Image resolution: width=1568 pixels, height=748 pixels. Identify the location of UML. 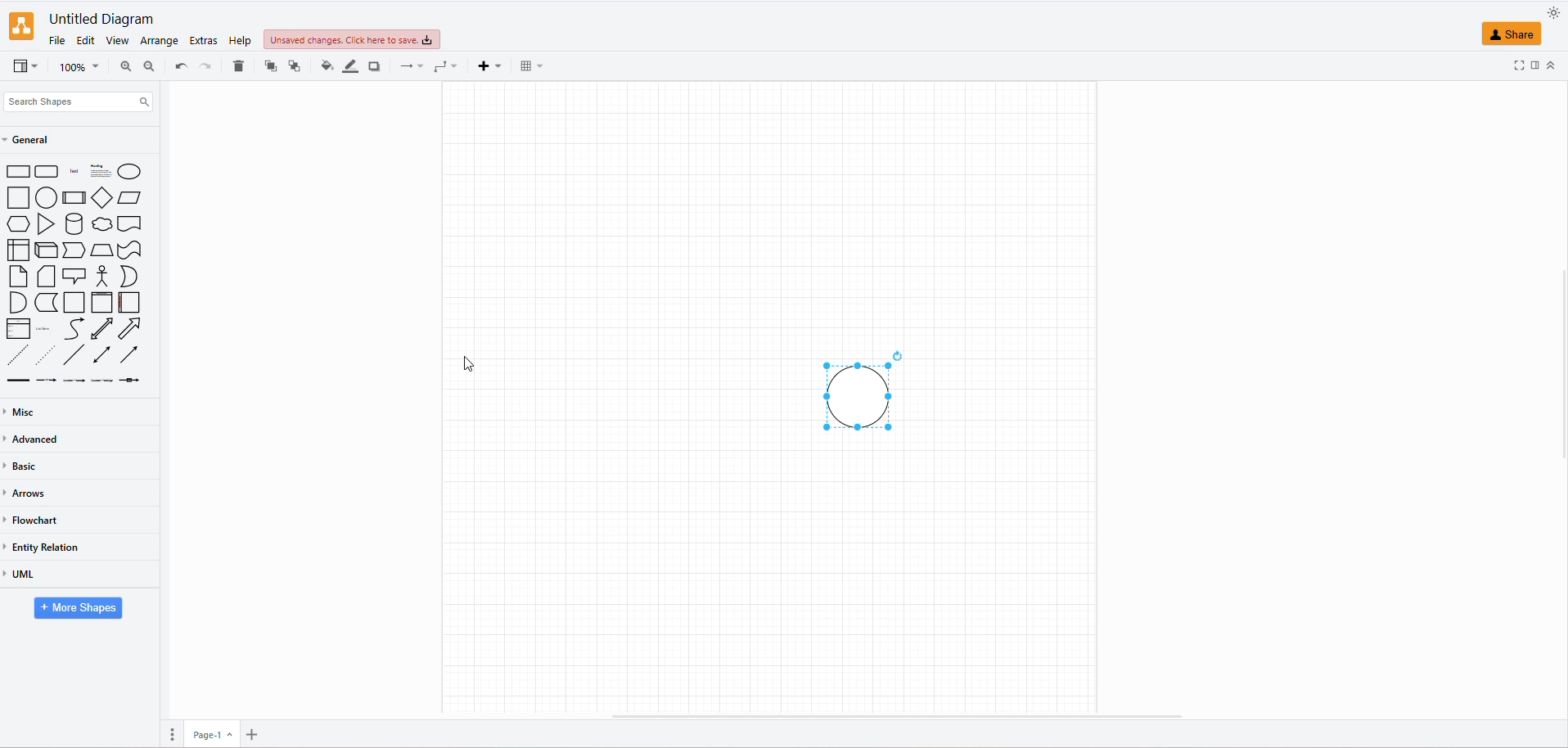
(24, 574).